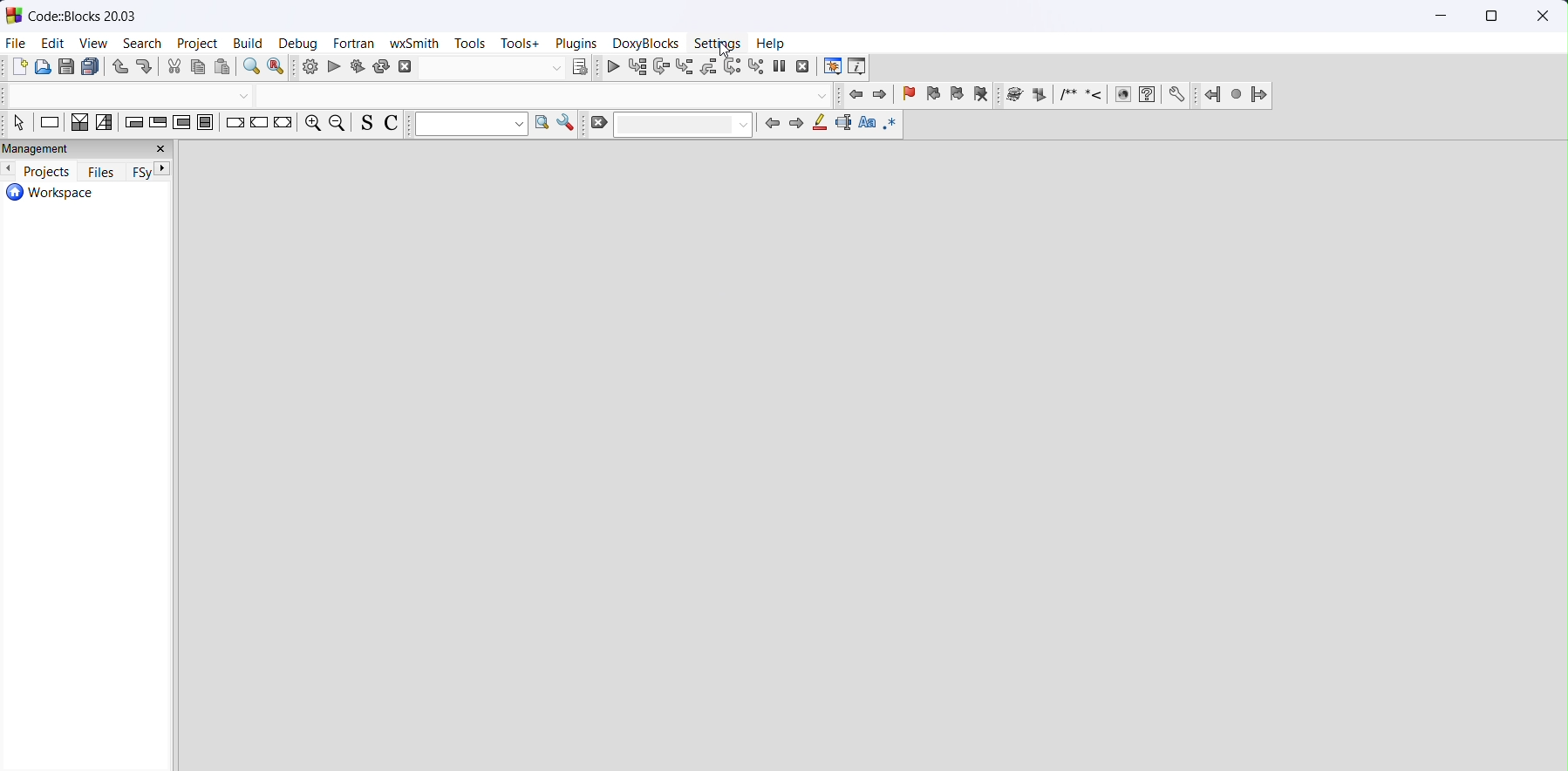  Describe the element at coordinates (391, 125) in the screenshot. I see `togglecomments` at that location.